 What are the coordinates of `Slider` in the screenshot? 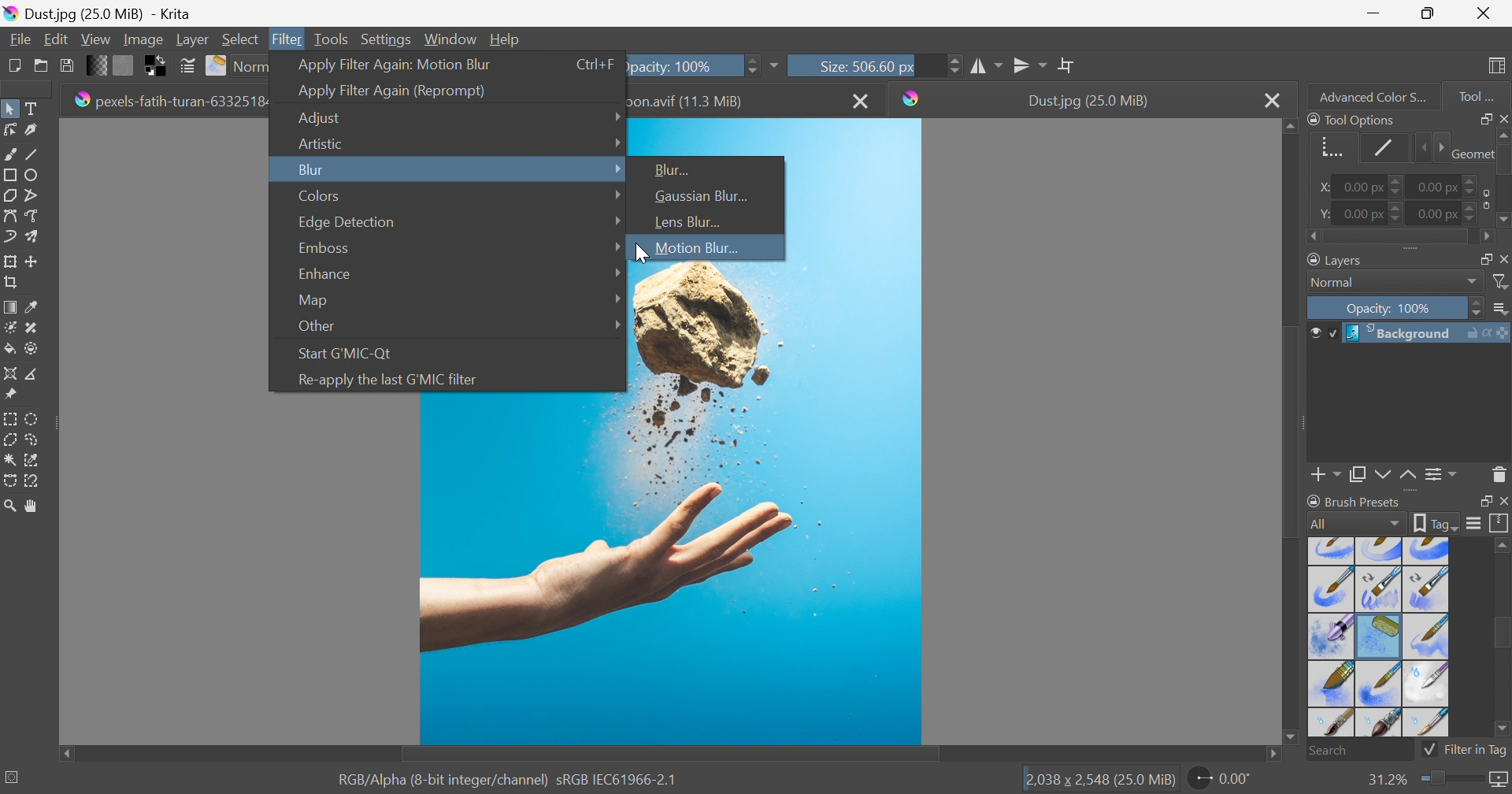 It's located at (1503, 179).